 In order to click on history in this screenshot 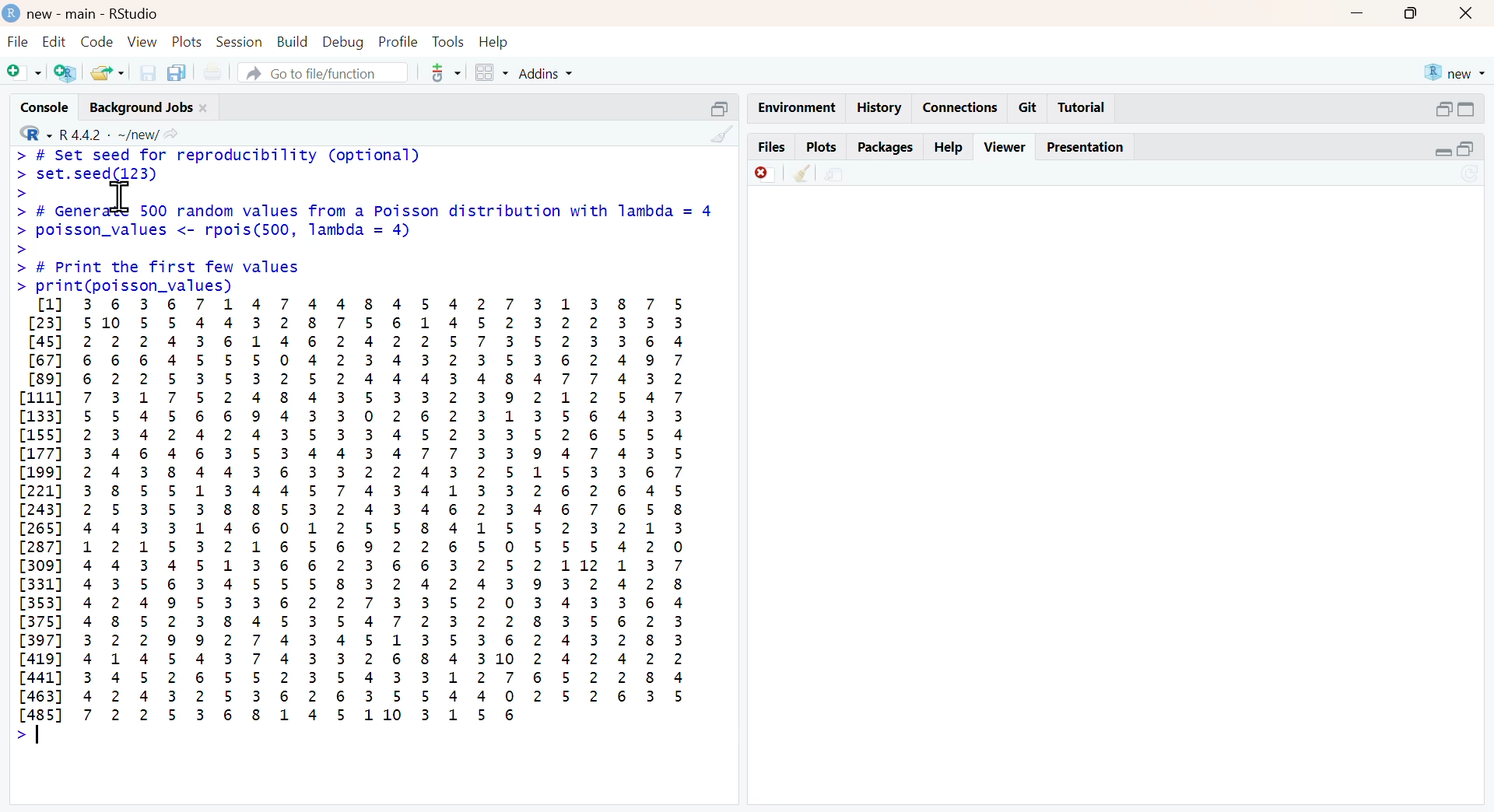, I will do `click(881, 107)`.